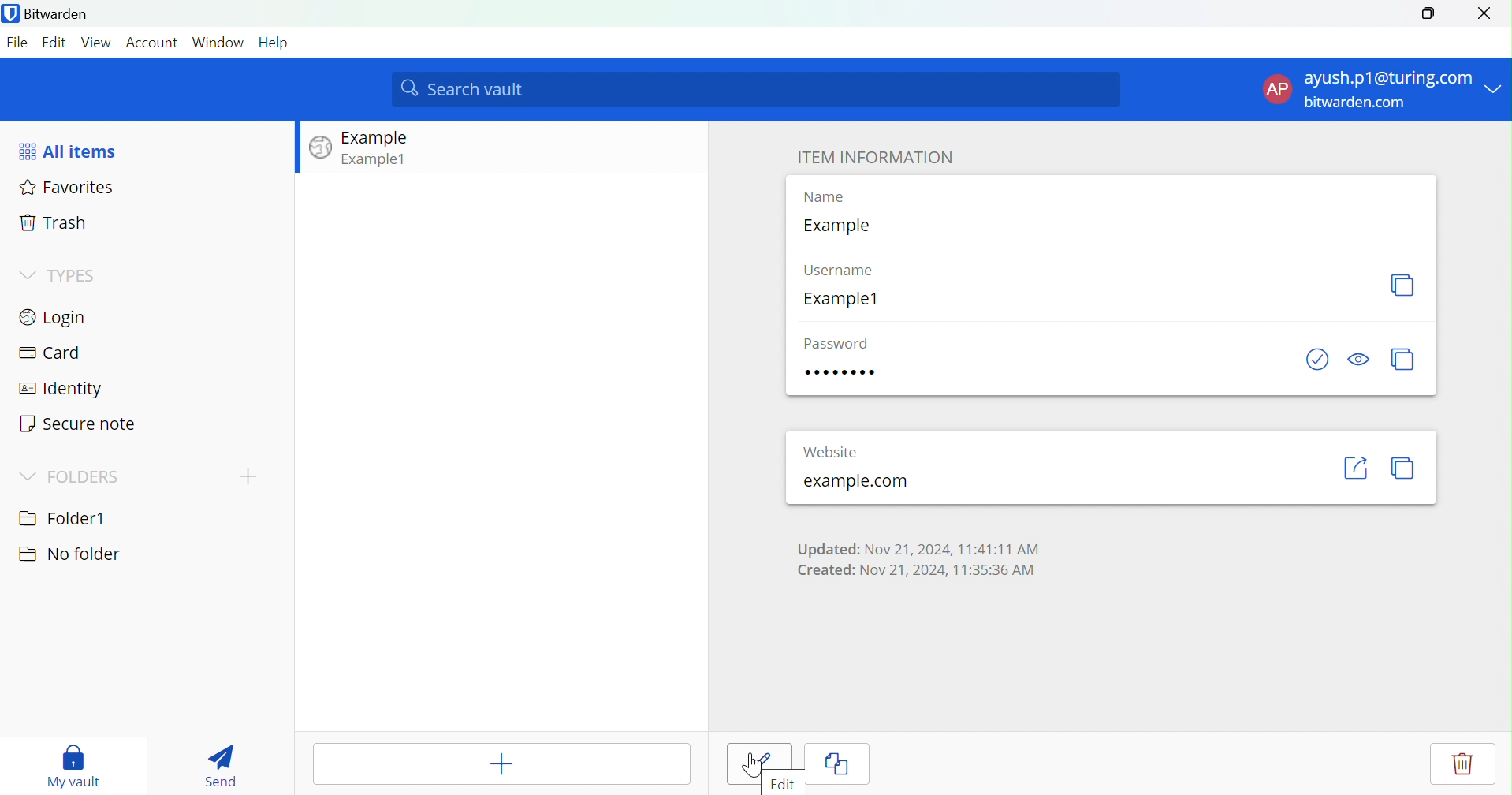 This screenshot has width=1512, height=795. What do you see at coordinates (1465, 763) in the screenshot?
I see `Delete` at bounding box center [1465, 763].